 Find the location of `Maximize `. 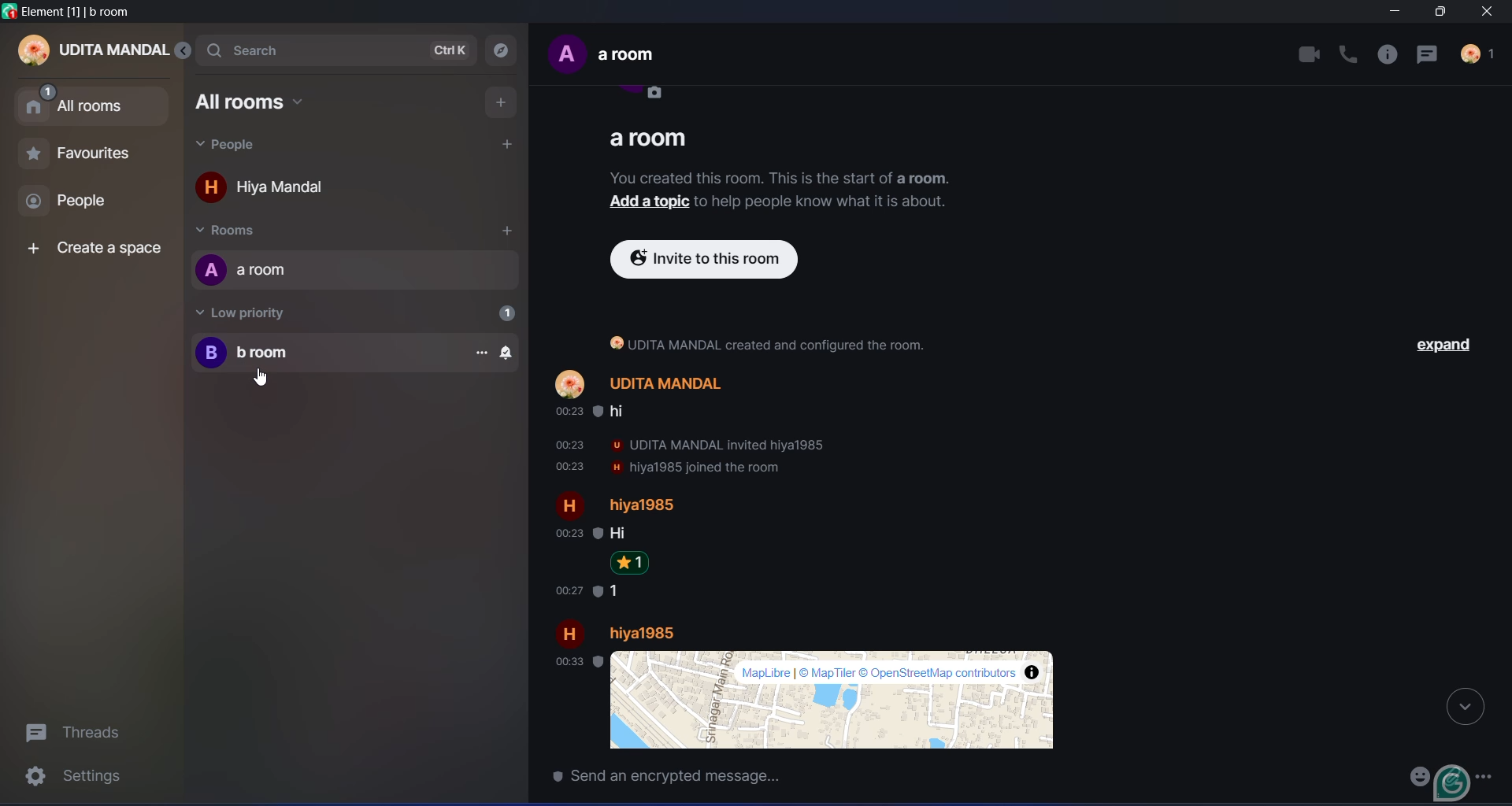

Maximize  is located at coordinates (1437, 13).